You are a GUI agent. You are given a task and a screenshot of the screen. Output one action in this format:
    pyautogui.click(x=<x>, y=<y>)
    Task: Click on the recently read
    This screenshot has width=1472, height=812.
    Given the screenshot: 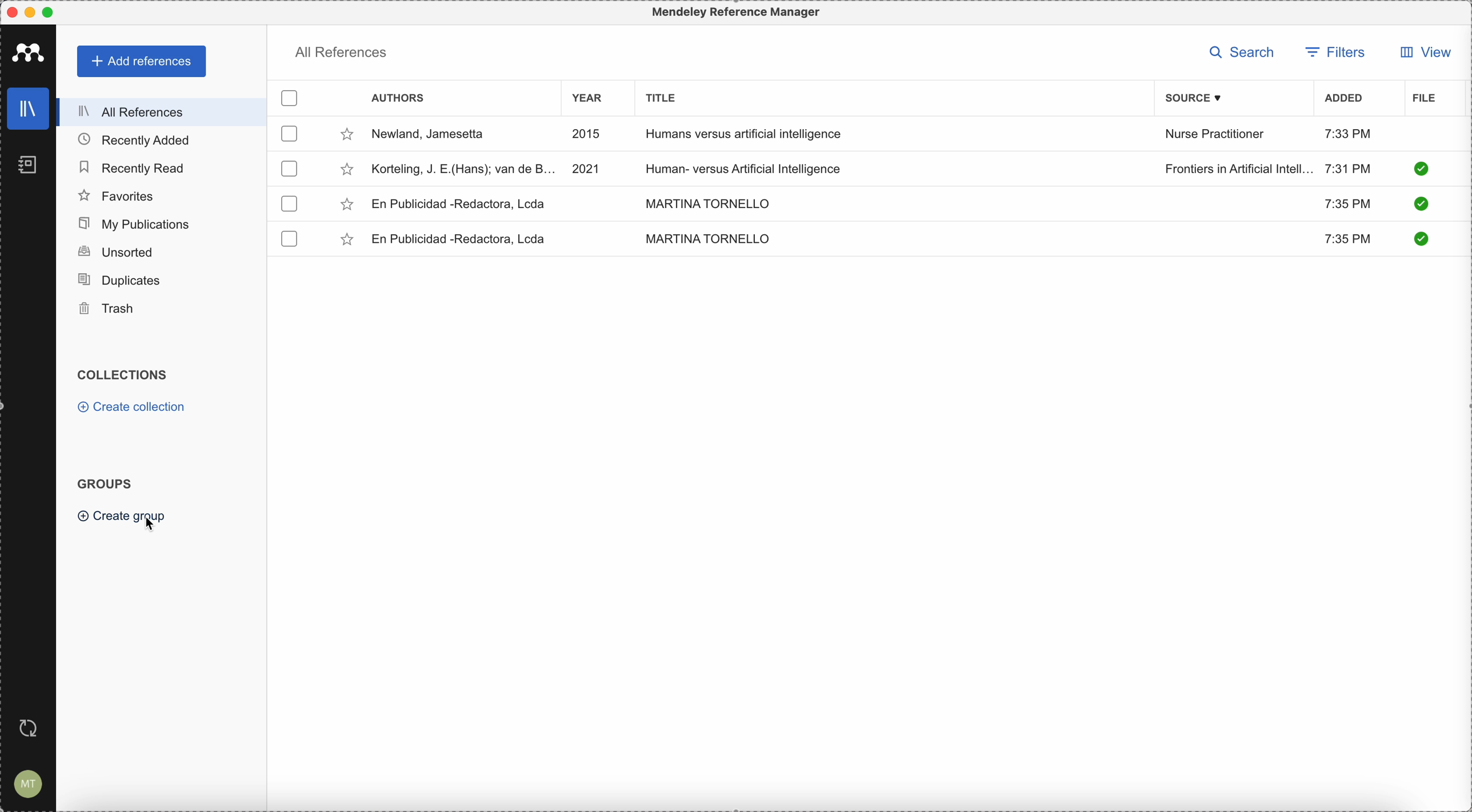 What is the action you would take?
    pyautogui.click(x=131, y=166)
    